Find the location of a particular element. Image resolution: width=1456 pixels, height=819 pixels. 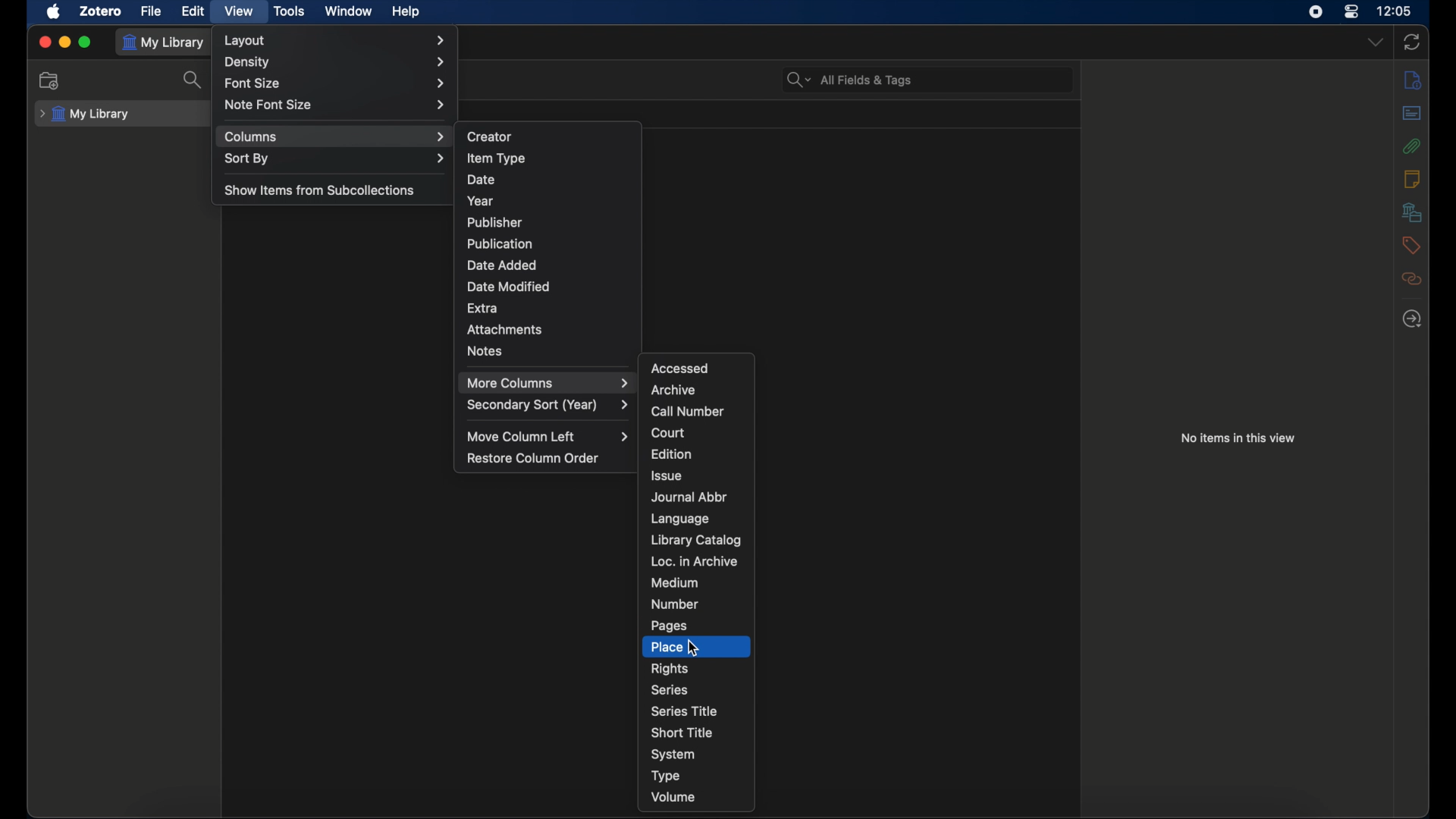

maximize is located at coordinates (86, 42).